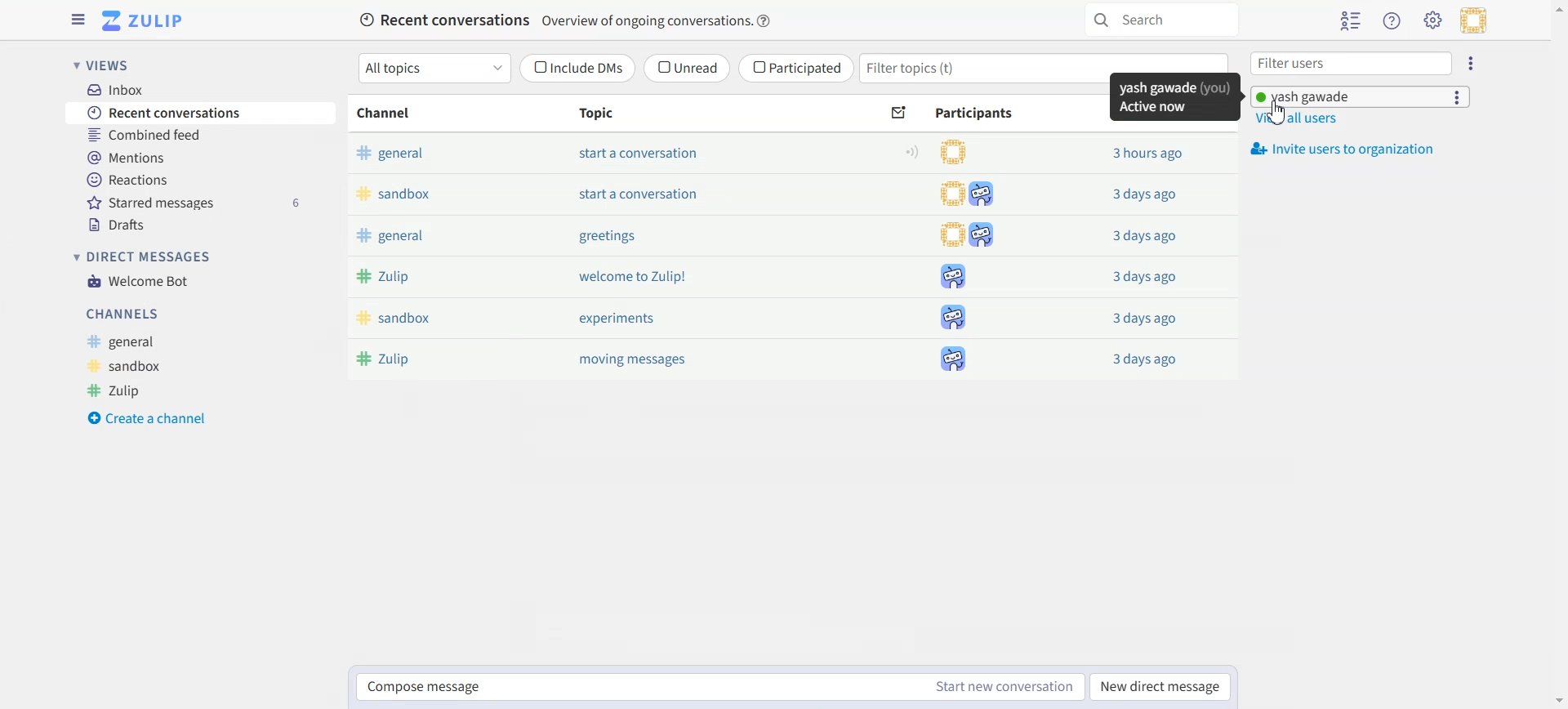 The height and width of the screenshot is (709, 1568). I want to click on moving messages, so click(640, 361).